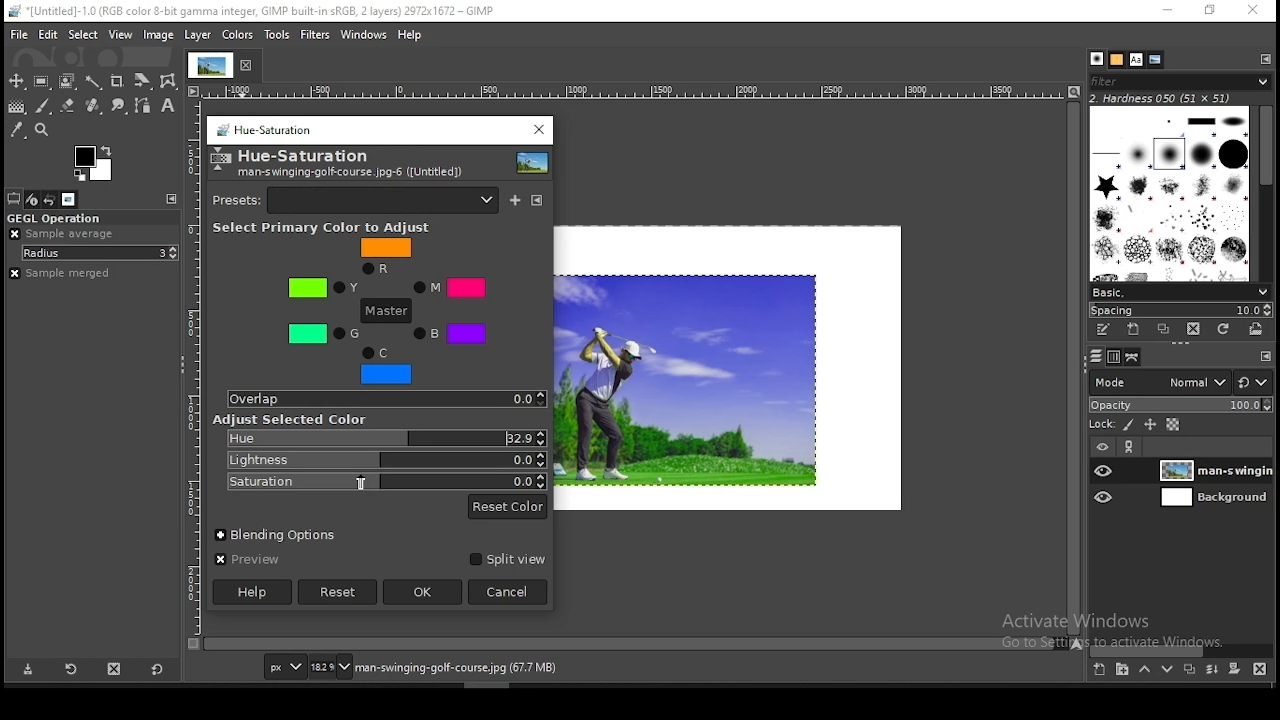 This screenshot has width=1280, height=720. Describe the element at coordinates (506, 561) in the screenshot. I see `split view` at that location.